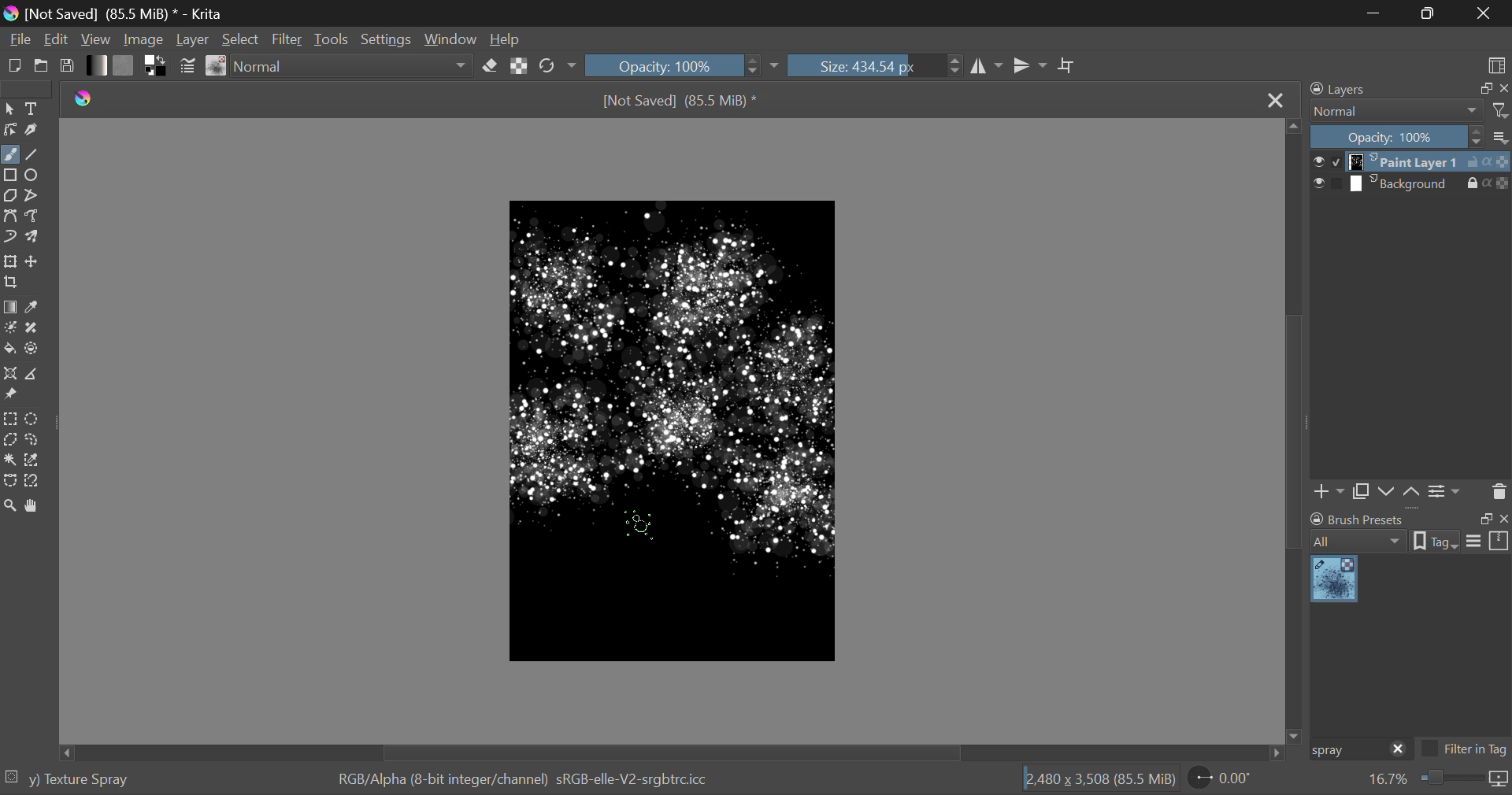  Describe the element at coordinates (124, 65) in the screenshot. I see `Pattern` at that location.